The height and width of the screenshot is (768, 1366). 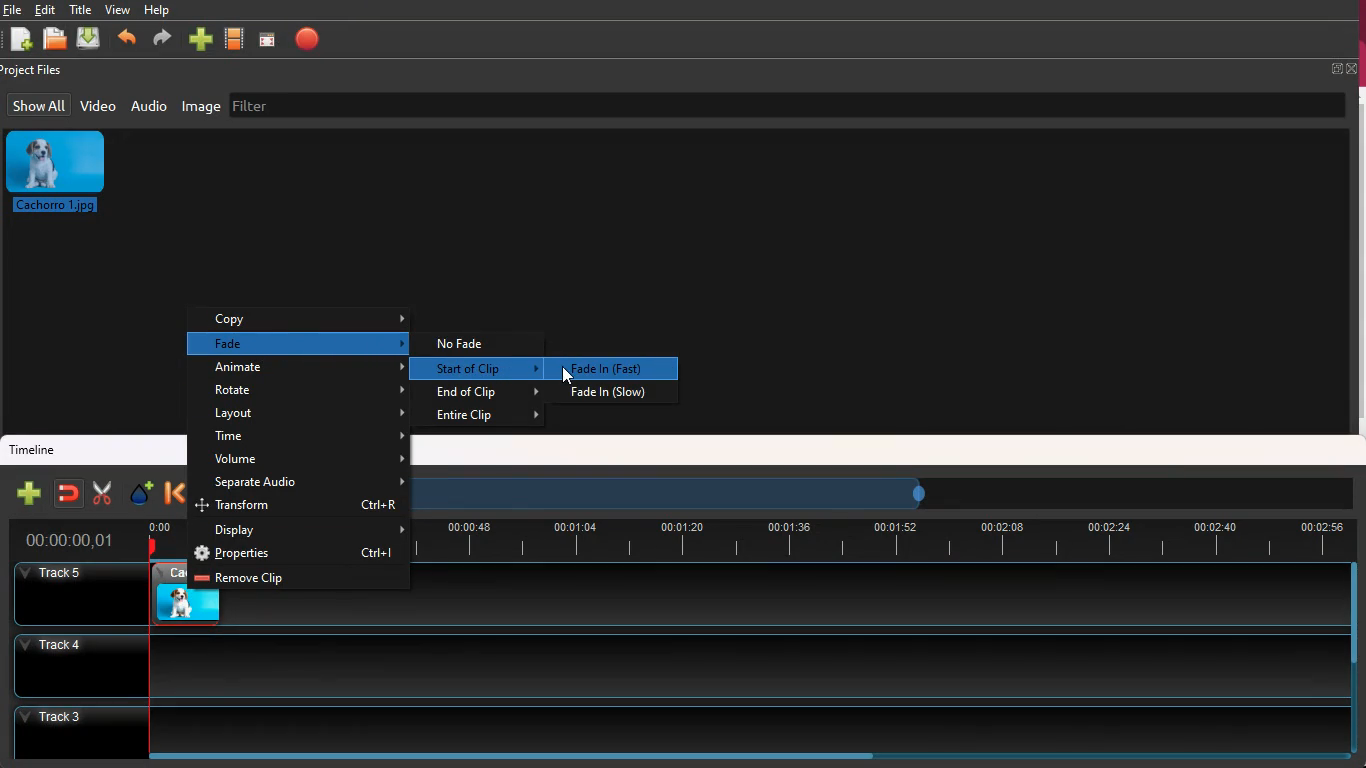 What do you see at coordinates (511, 756) in the screenshot?
I see `scroll bar` at bounding box center [511, 756].